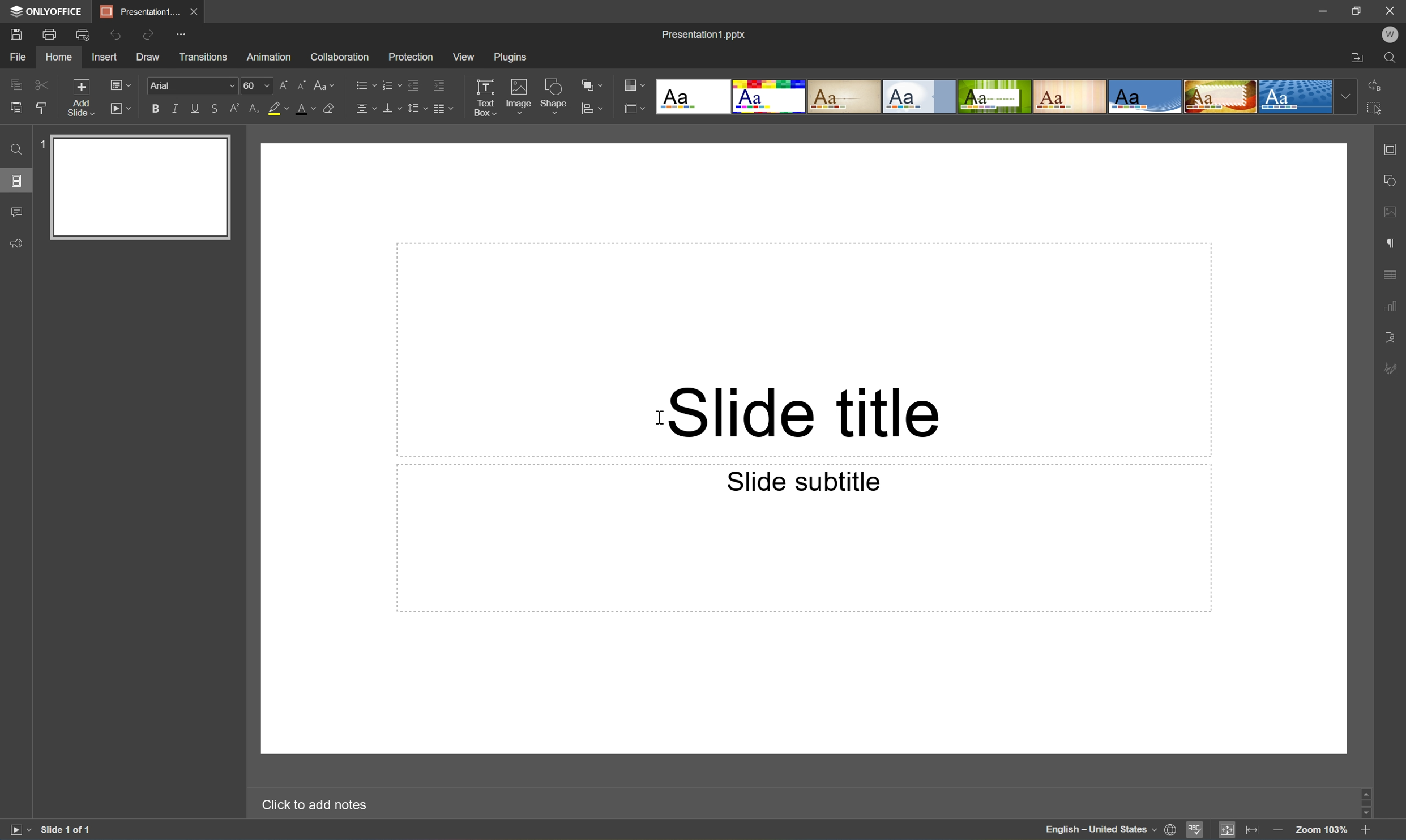  I want to click on Increment case, so click(279, 83).